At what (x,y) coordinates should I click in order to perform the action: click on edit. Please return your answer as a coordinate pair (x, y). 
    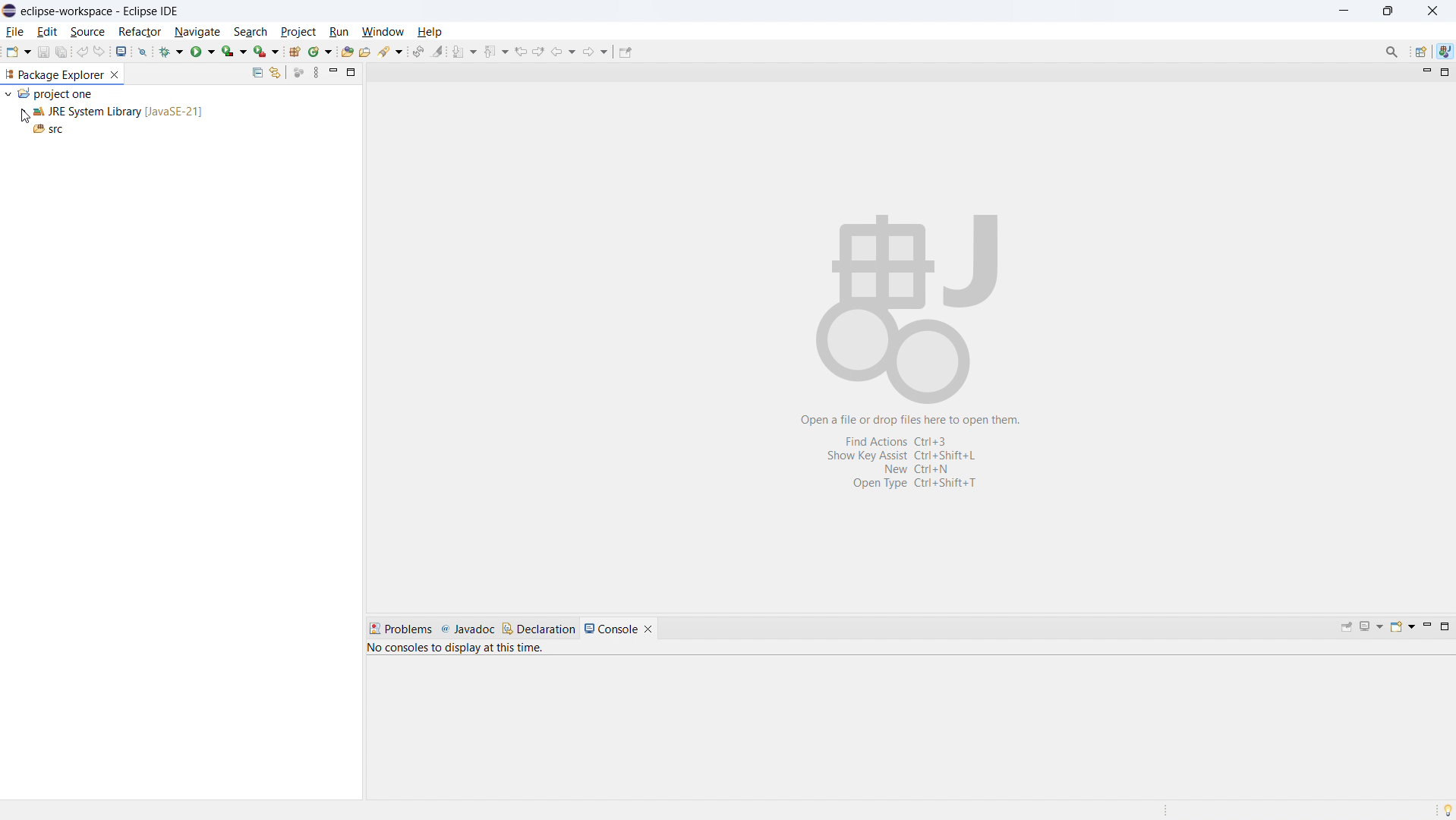
    Looking at the image, I should click on (48, 32).